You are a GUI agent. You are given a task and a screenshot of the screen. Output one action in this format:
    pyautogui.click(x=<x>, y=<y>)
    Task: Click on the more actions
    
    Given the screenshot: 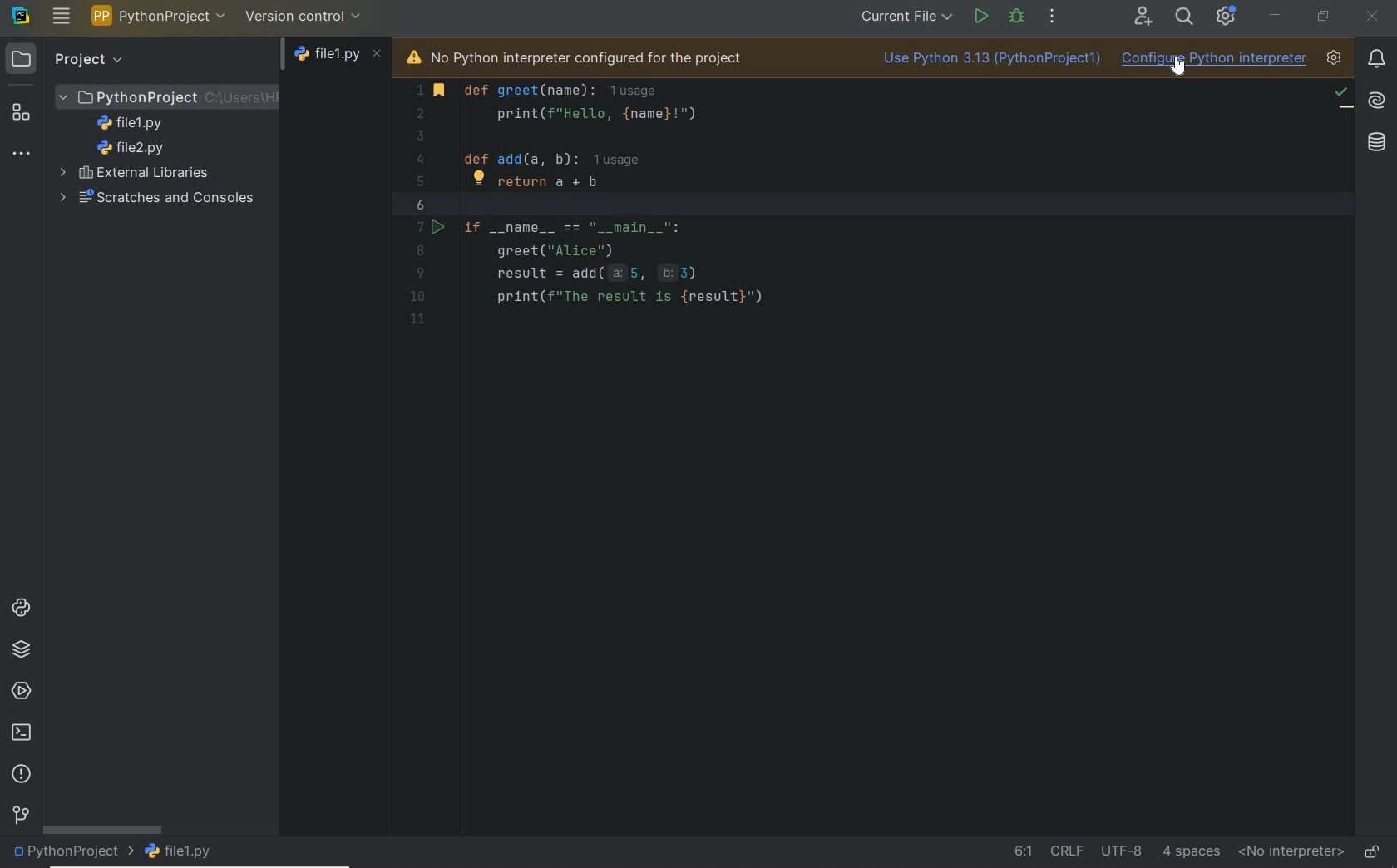 What is the action you would take?
    pyautogui.click(x=1053, y=17)
    